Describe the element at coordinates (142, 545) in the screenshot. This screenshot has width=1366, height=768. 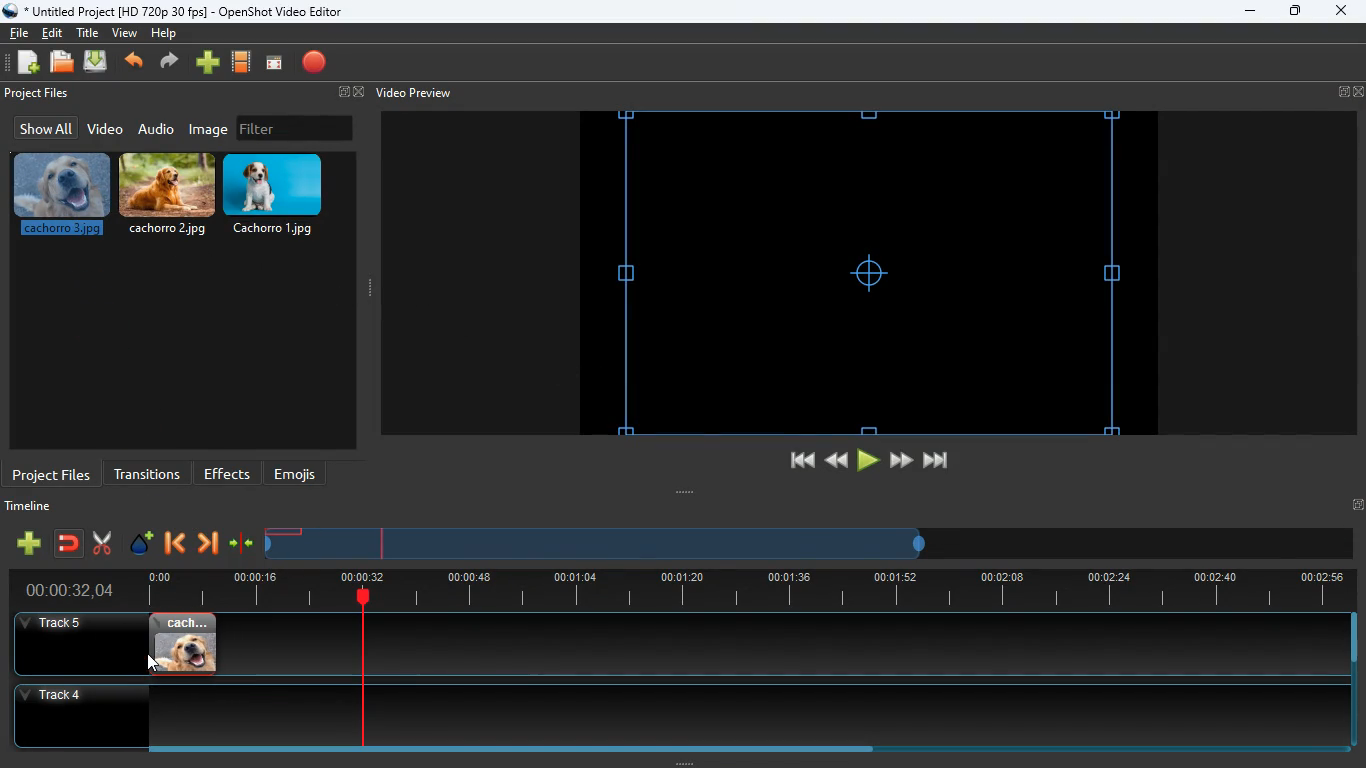
I see `effect` at that location.